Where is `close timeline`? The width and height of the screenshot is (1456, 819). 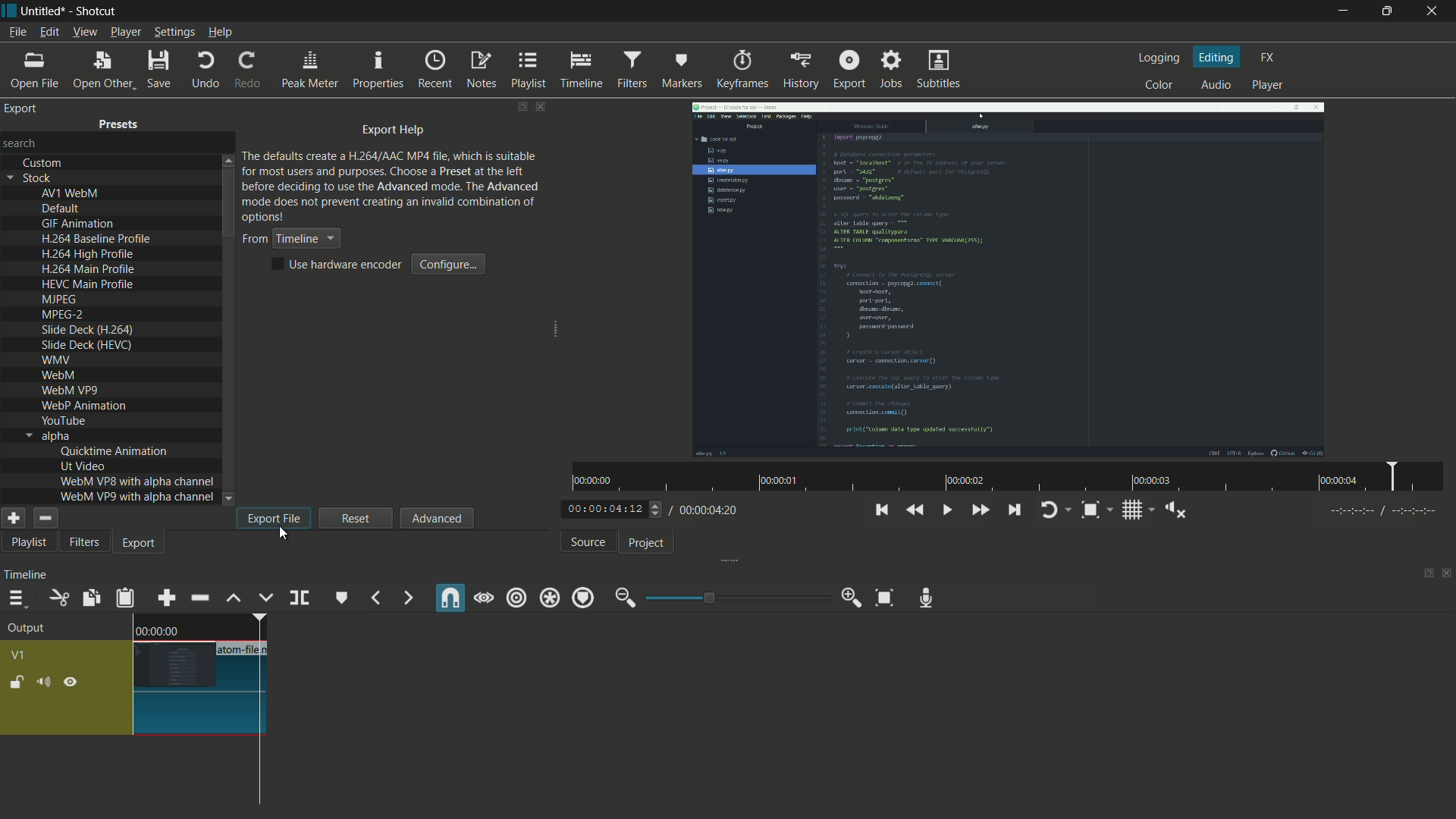 close timeline is located at coordinates (1447, 574).